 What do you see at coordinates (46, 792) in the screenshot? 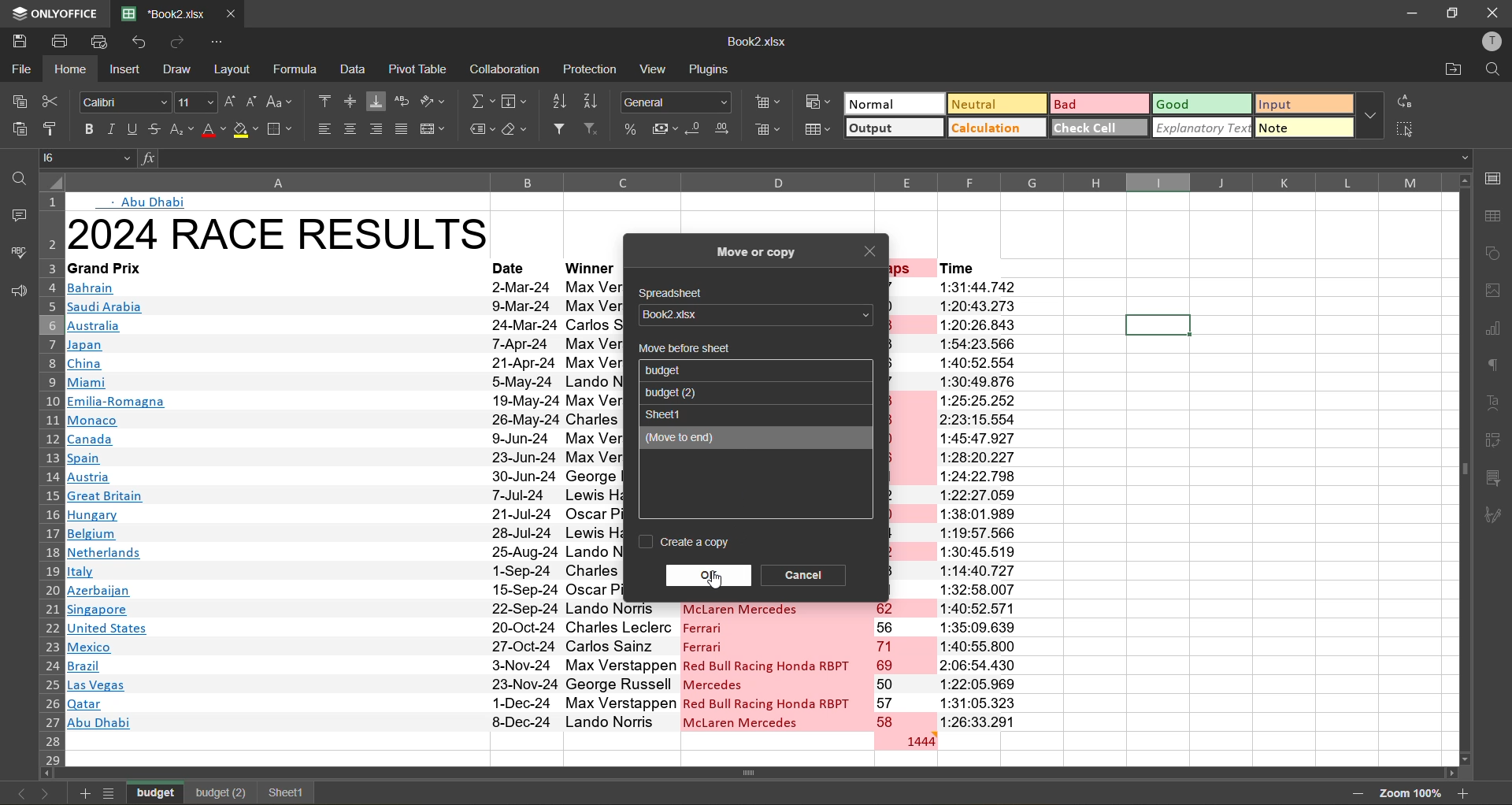
I see `next` at bounding box center [46, 792].